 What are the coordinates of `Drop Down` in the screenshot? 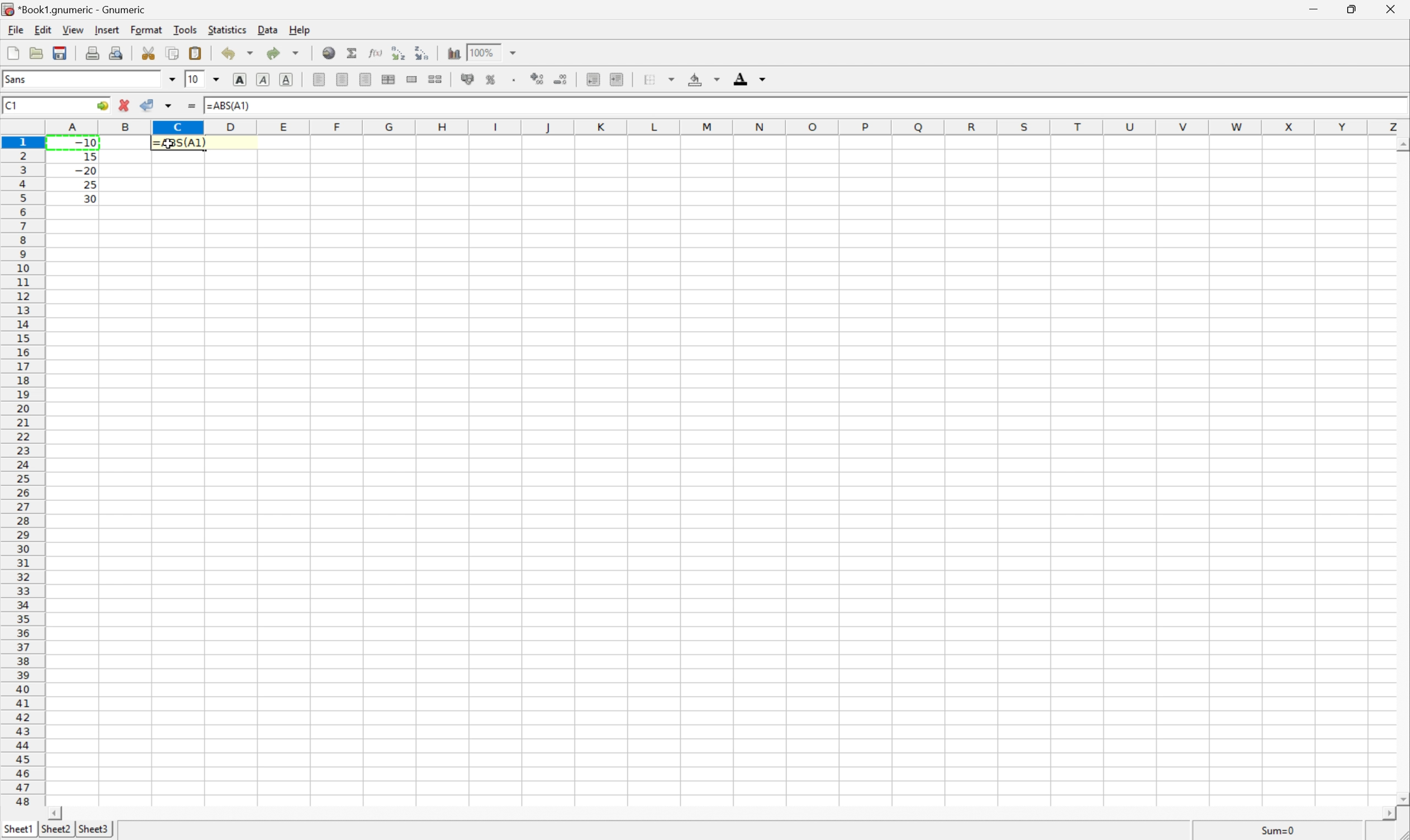 It's located at (674, 77).